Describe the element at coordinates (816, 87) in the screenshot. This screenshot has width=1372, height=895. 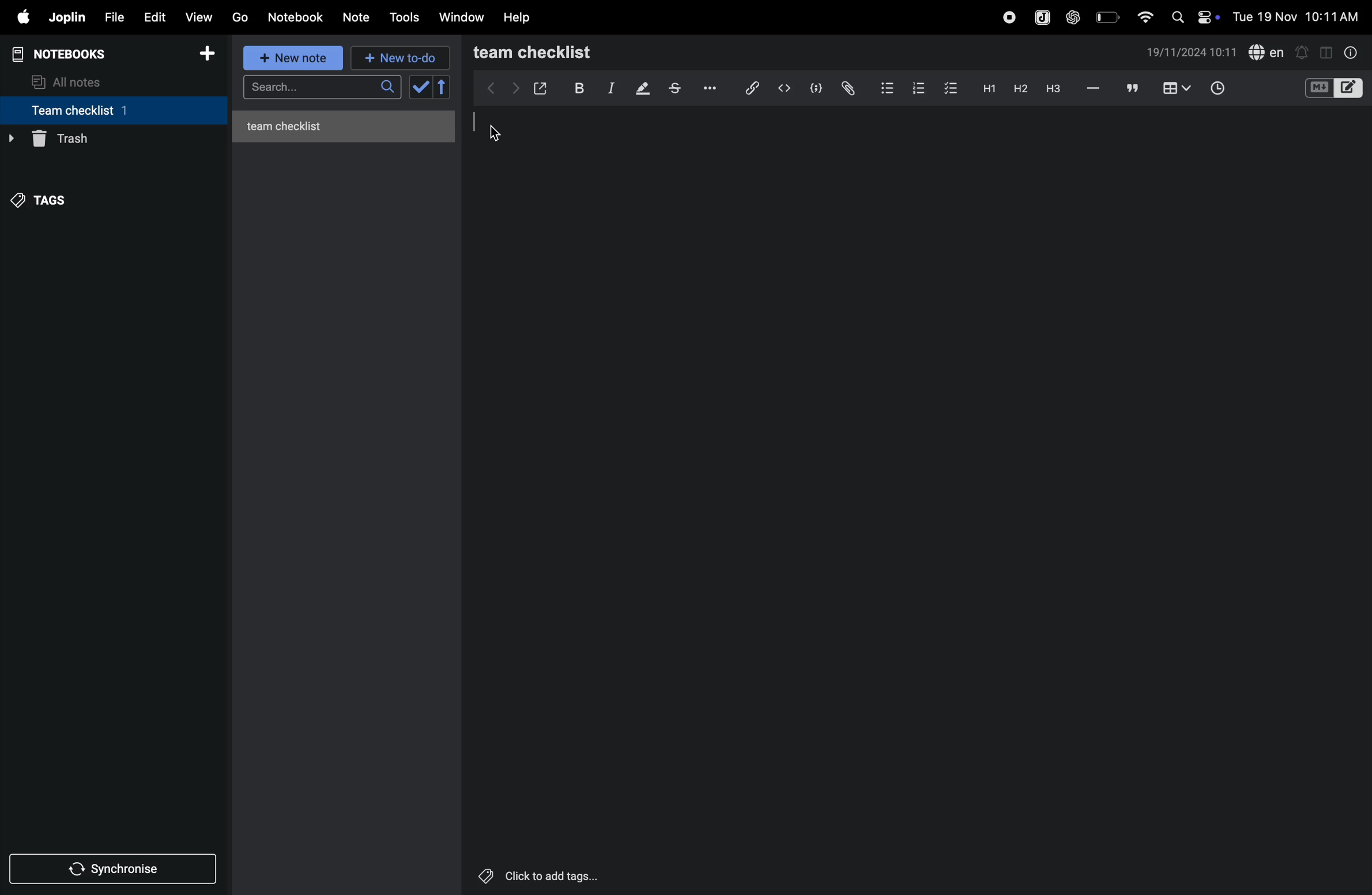
I see `code block` at that location.